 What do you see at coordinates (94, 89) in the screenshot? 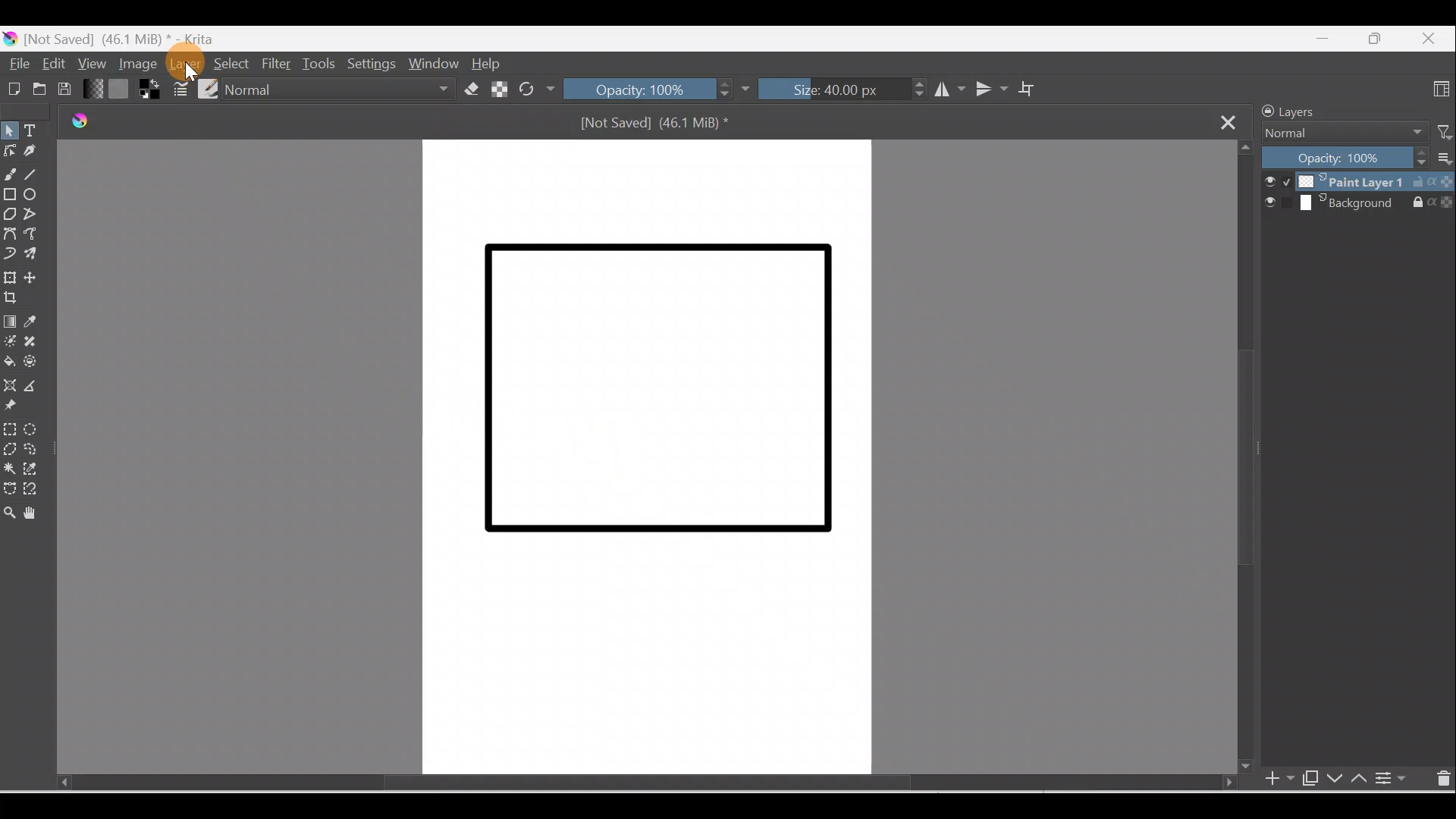
I see `Fill gradients` at bounding box center [94, 89].